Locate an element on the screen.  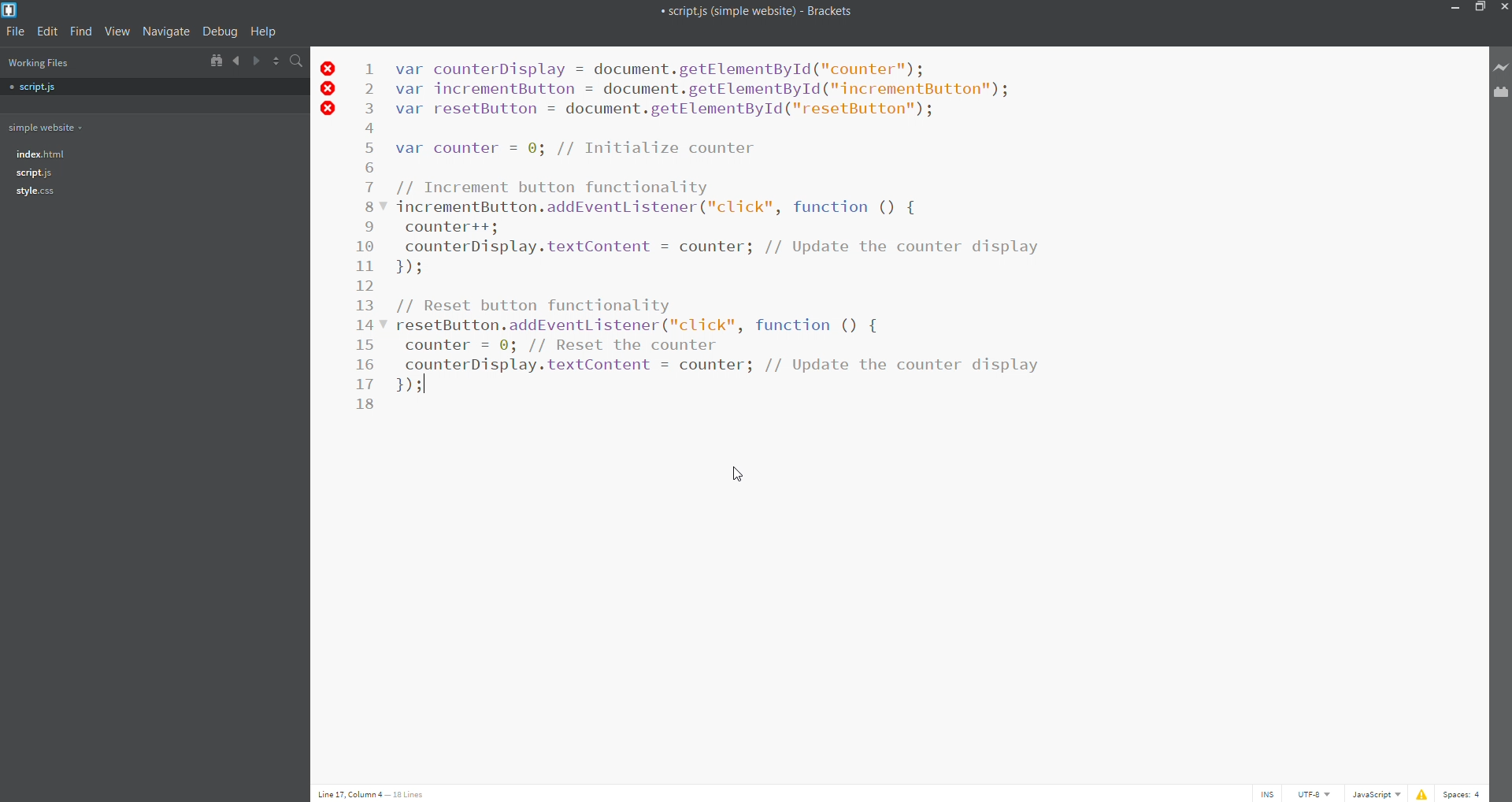
script.js is located at coordinates (39, 88).